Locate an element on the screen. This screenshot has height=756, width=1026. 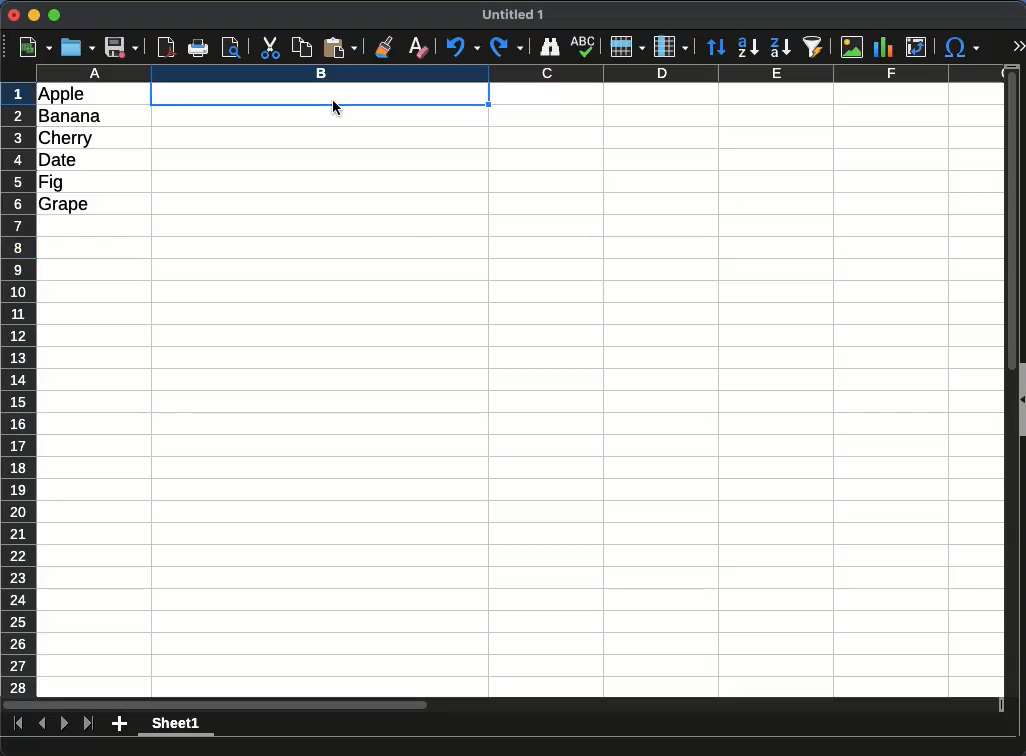
open is located at coordinates (78, 48).